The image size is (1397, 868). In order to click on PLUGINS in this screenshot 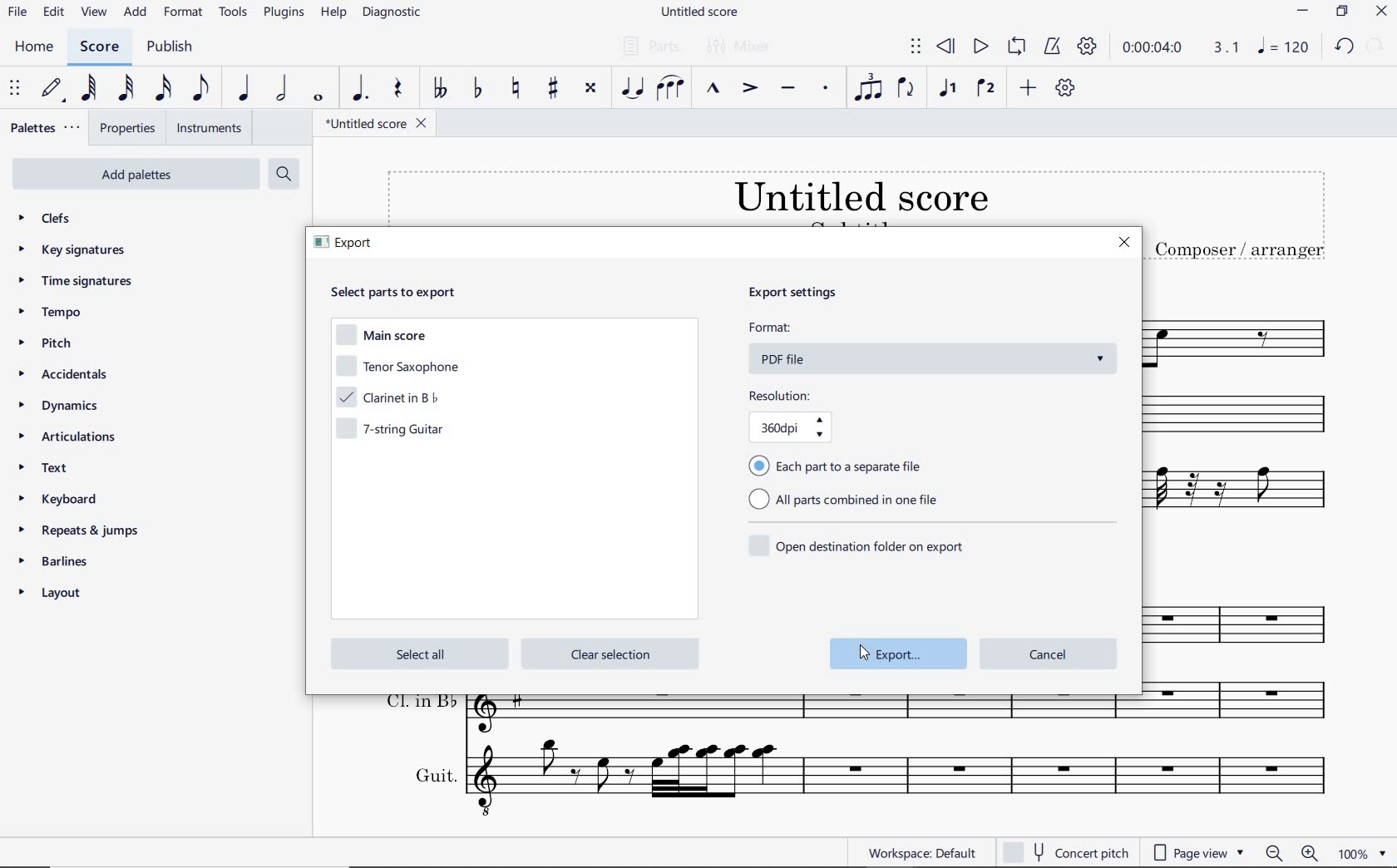, I will do `click(286, 16)`.